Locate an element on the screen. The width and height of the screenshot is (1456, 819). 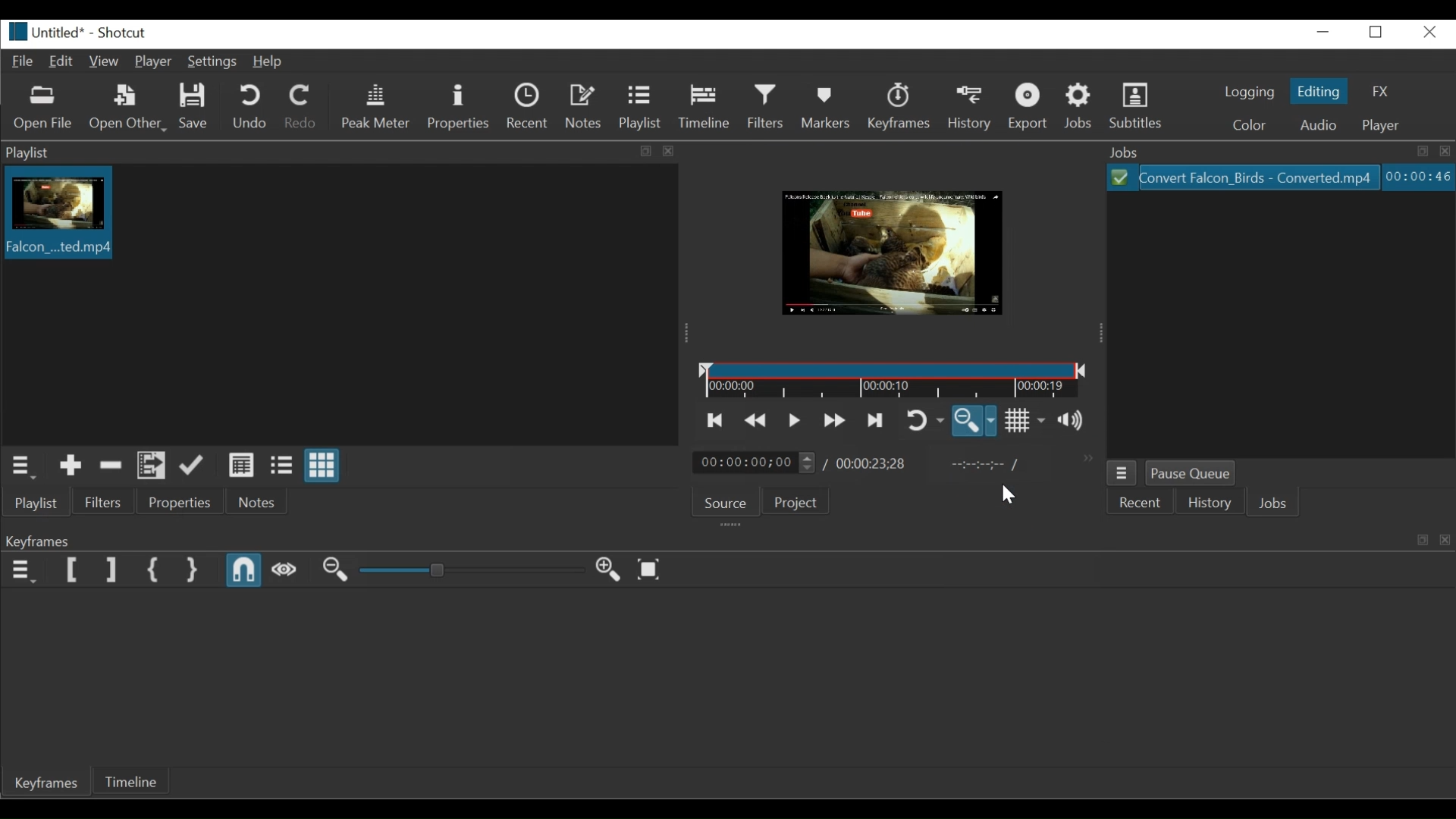
Notes is located at coordinates (254, 500).